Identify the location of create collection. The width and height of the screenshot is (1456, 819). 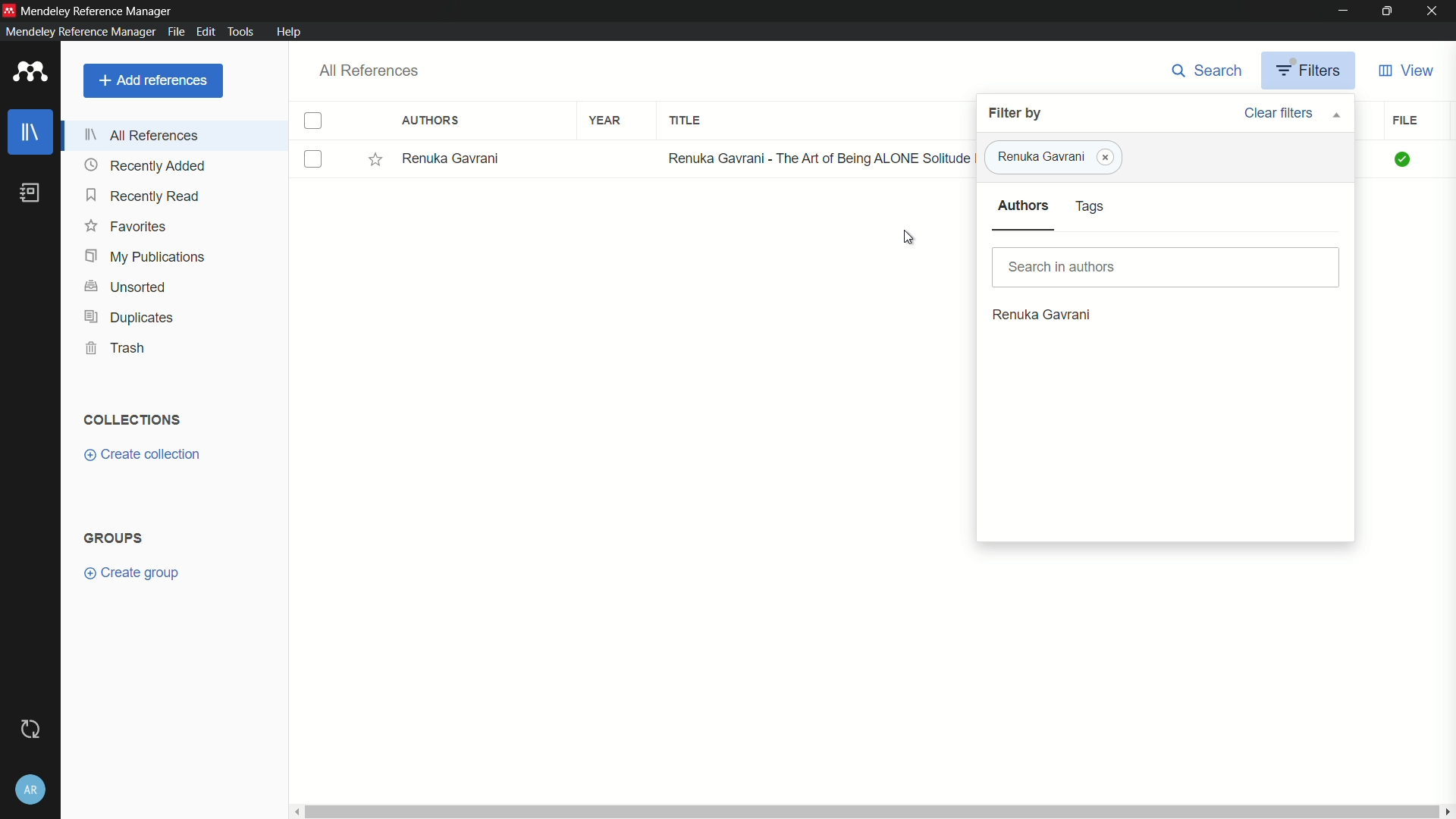
(144, 454).